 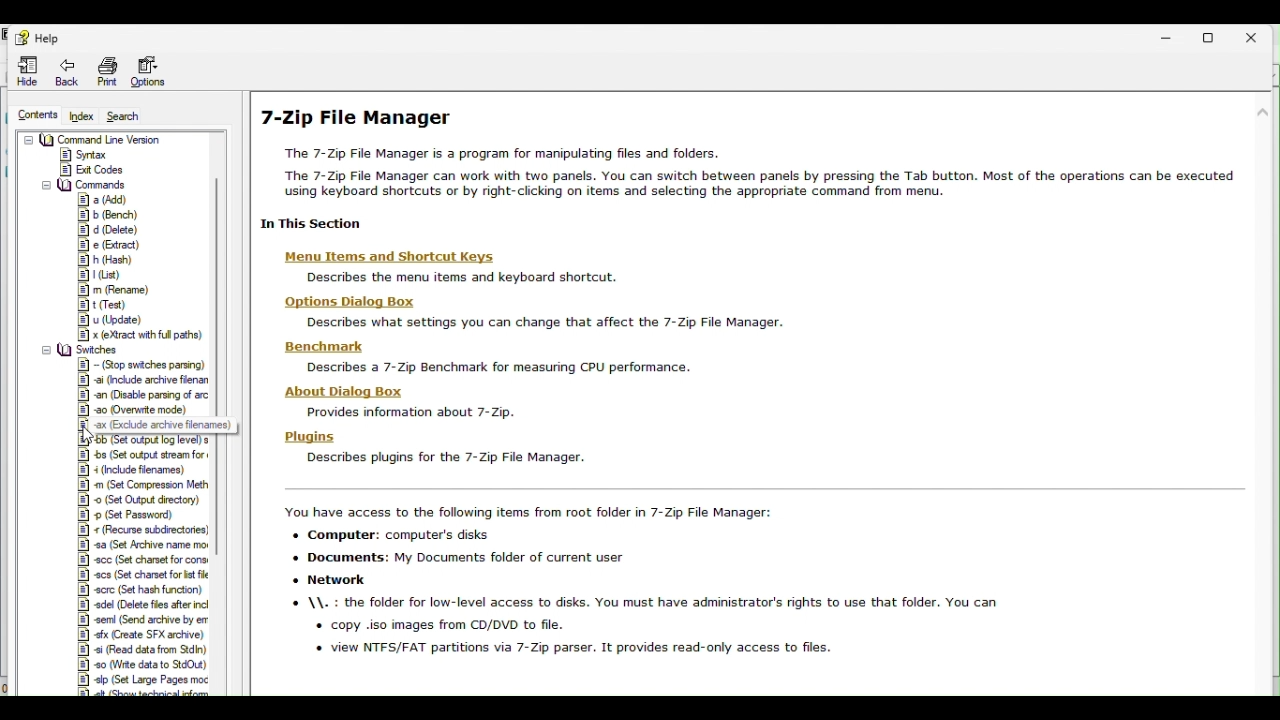 I want to click on |8] Exit Codes, so click(x=93, y=169).